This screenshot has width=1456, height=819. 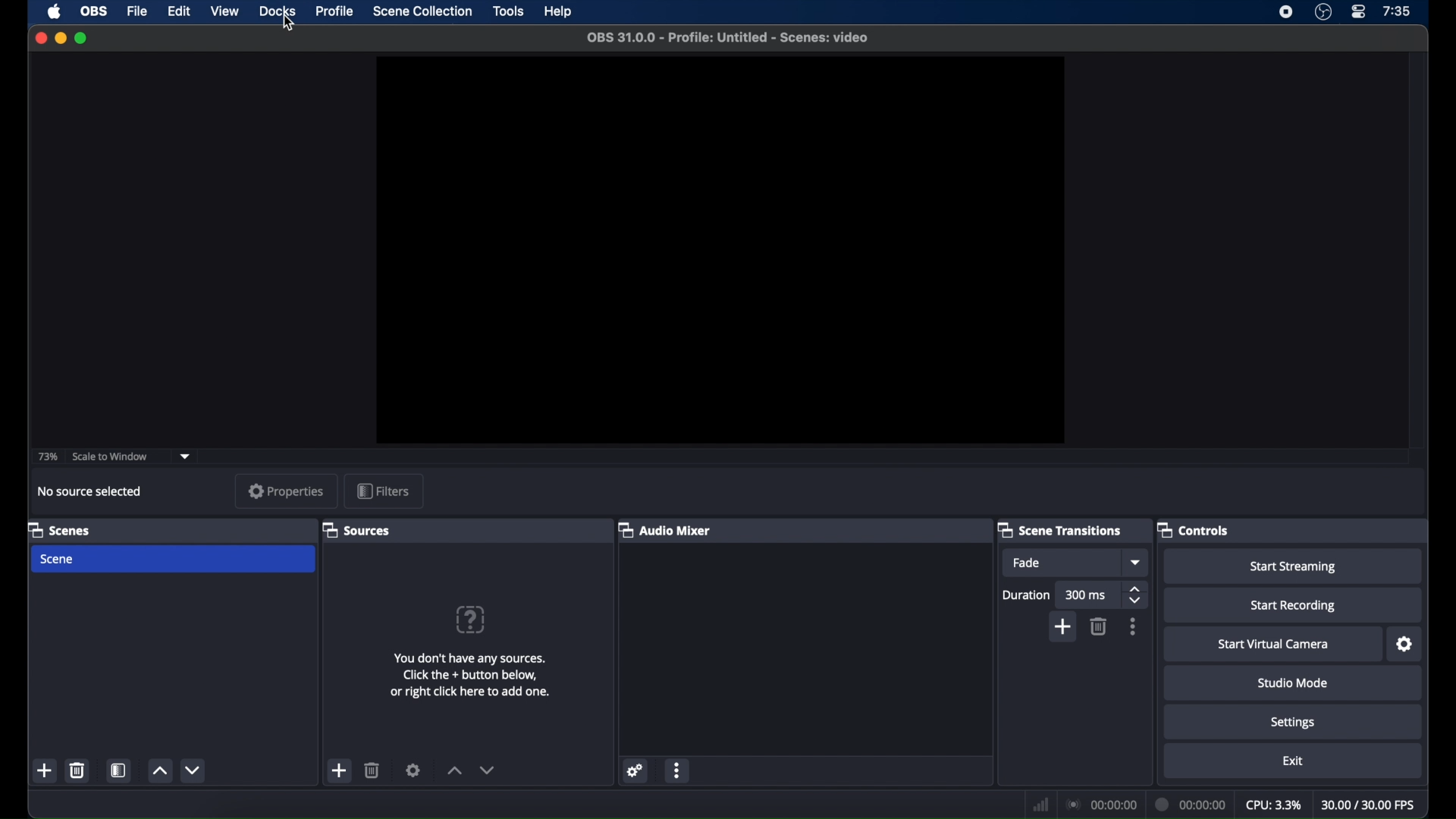 What do you see at coordinates (77, 770) in the screenshot?
I see `delete` at bounding box center [77, 770].